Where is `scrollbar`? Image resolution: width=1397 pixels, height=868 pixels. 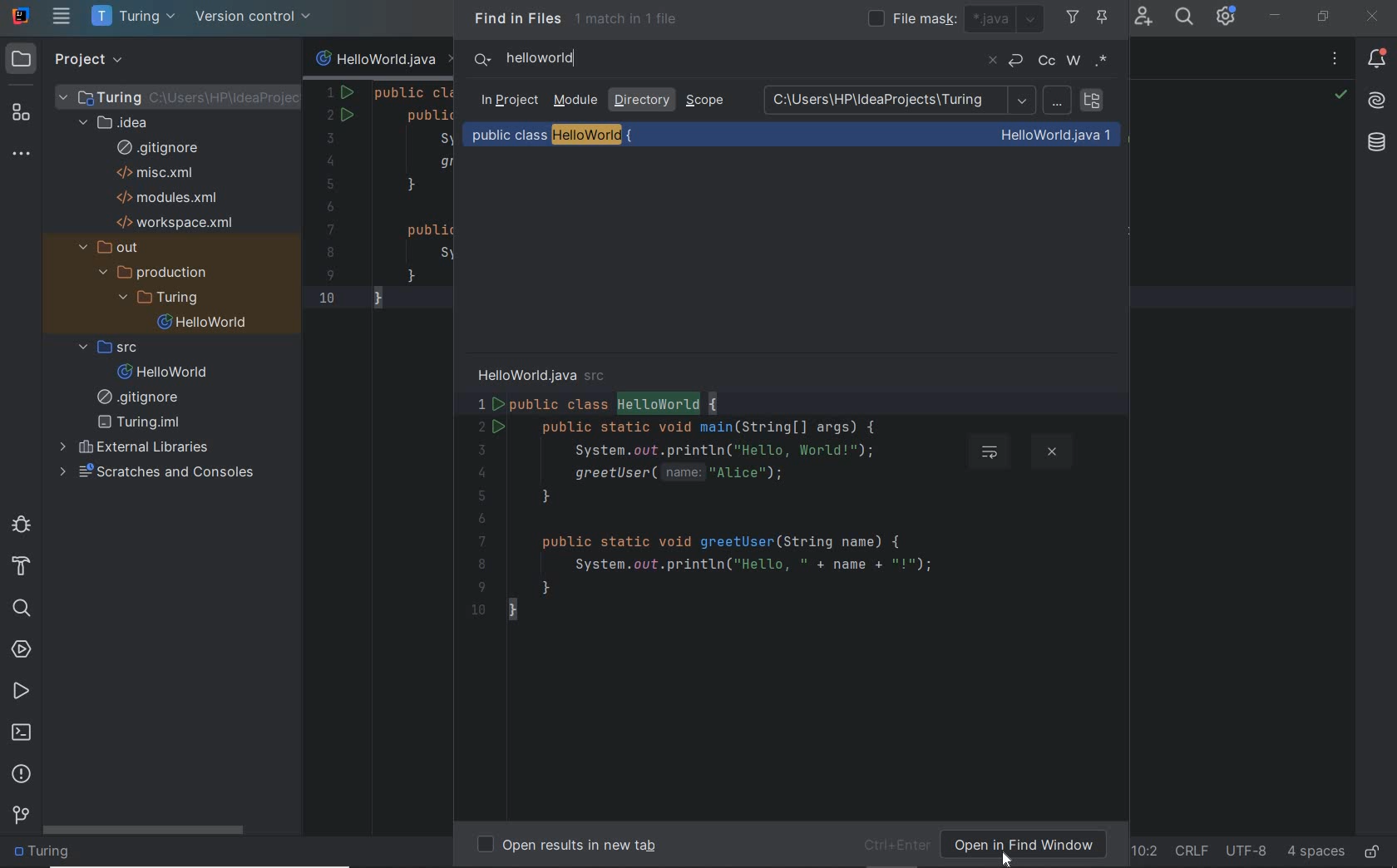 scrollbar is located at coordinates (144, 831).